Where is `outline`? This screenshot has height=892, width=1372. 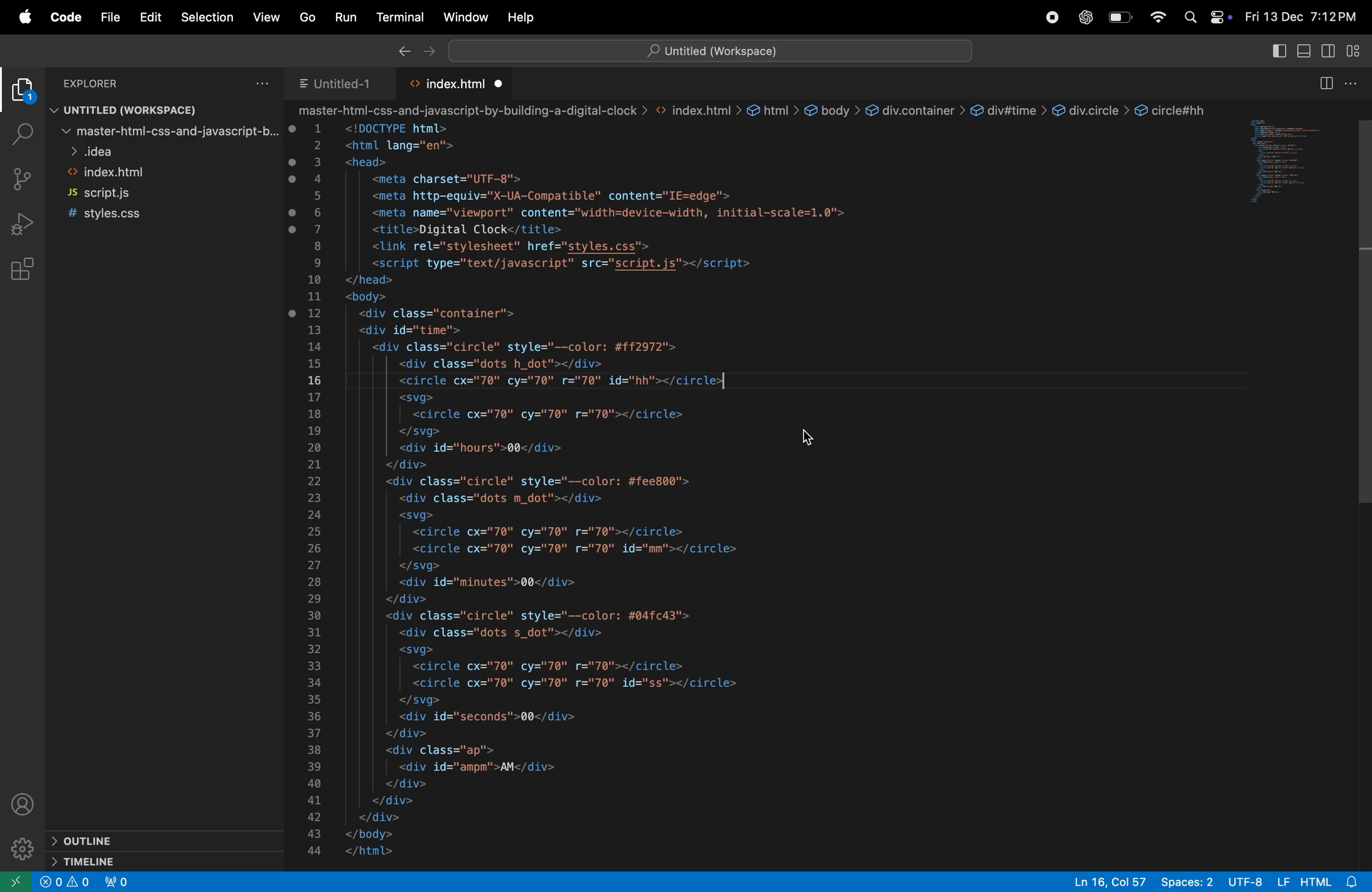 outline is located at coordinates (119, 840).